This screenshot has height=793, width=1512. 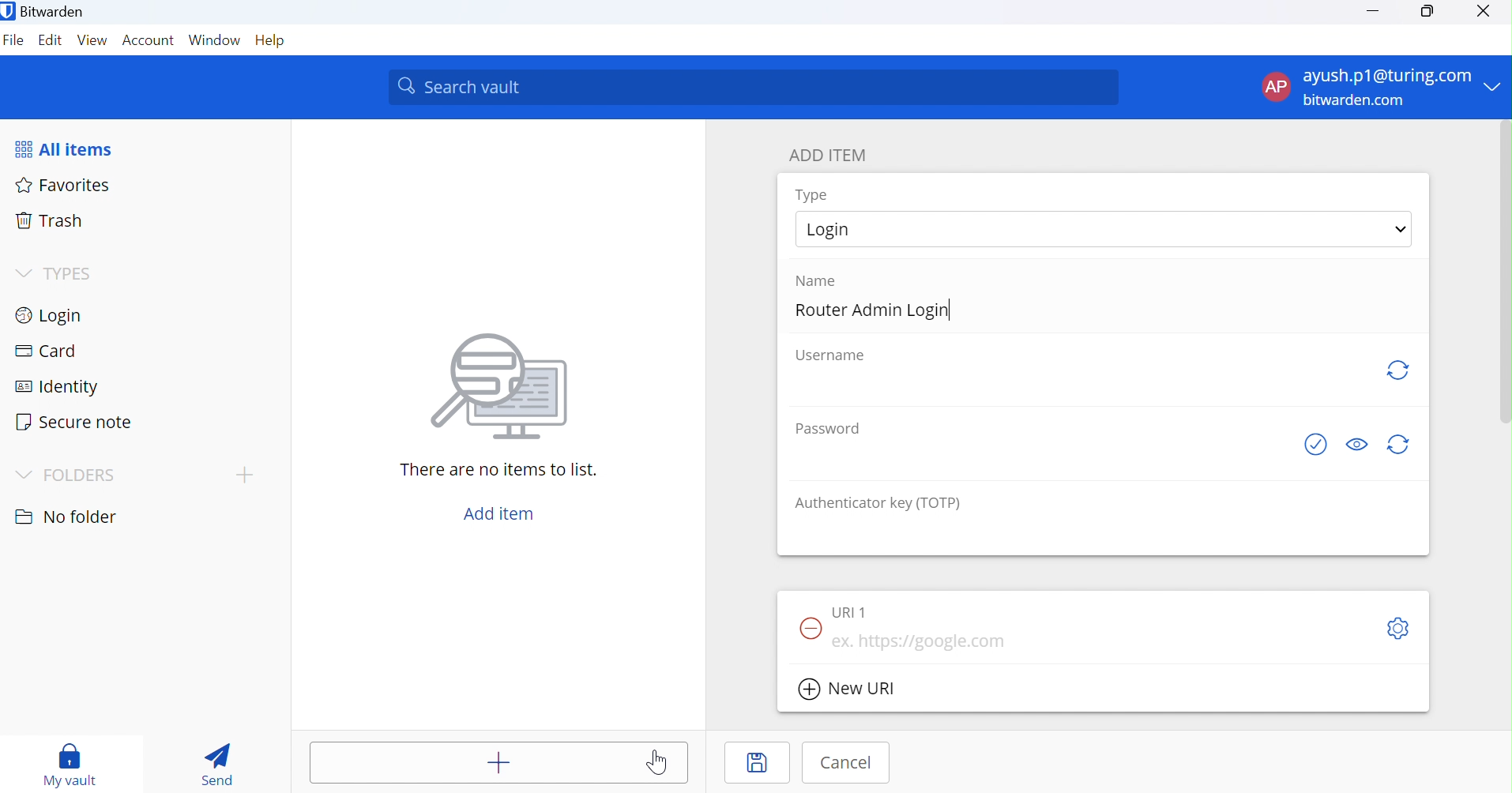 I want to click on https://google ta, so click(x=923, y=642).